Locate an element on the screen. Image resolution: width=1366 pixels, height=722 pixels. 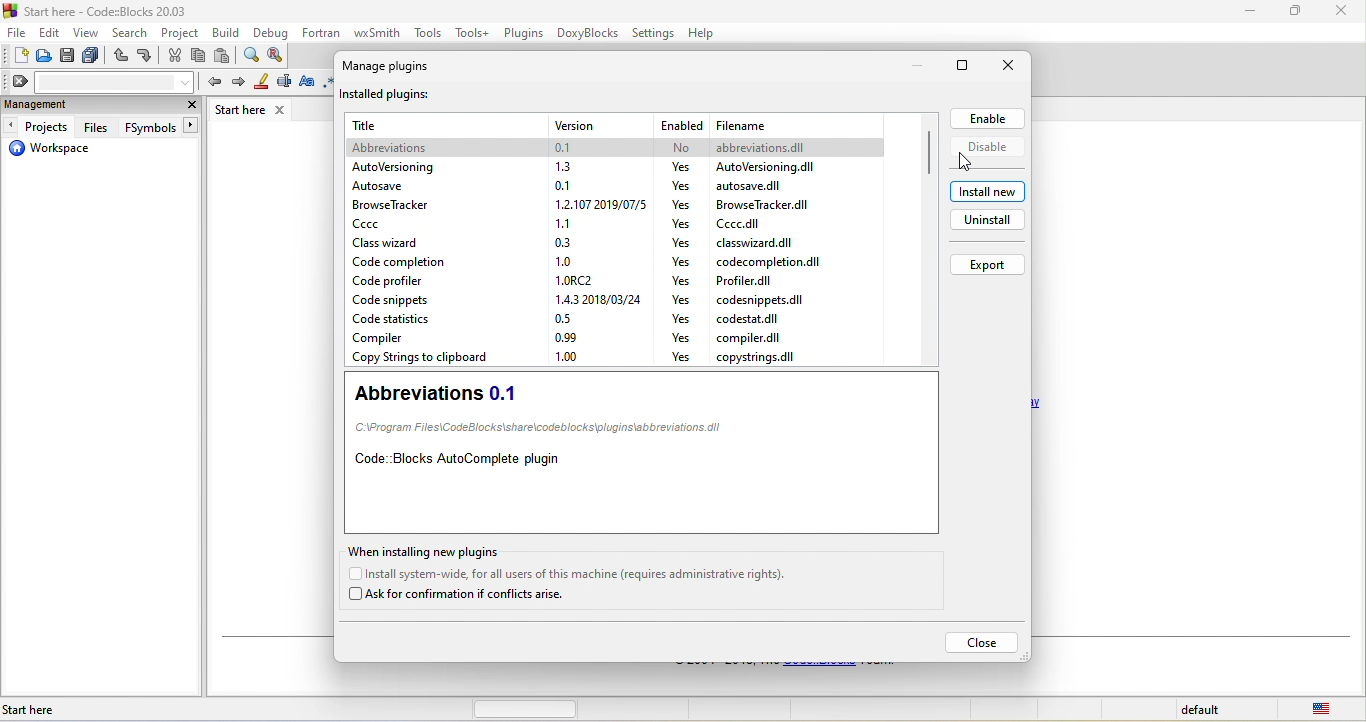
start here is located at coordinates (254, 110).